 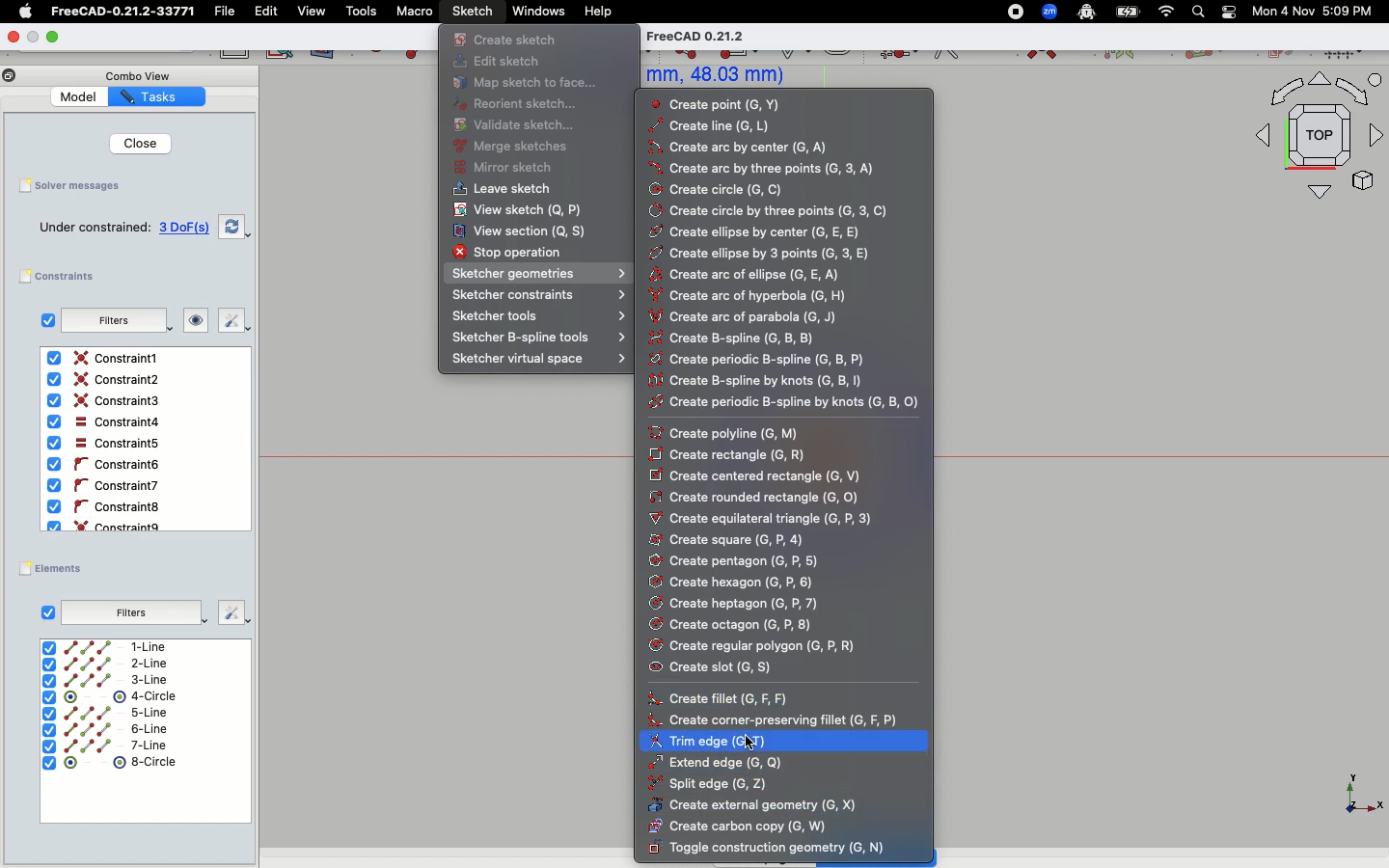 What do you see at coordinates (137, 75) in the screenshot?
I see `Combo View` at bounding box center [137, 75].